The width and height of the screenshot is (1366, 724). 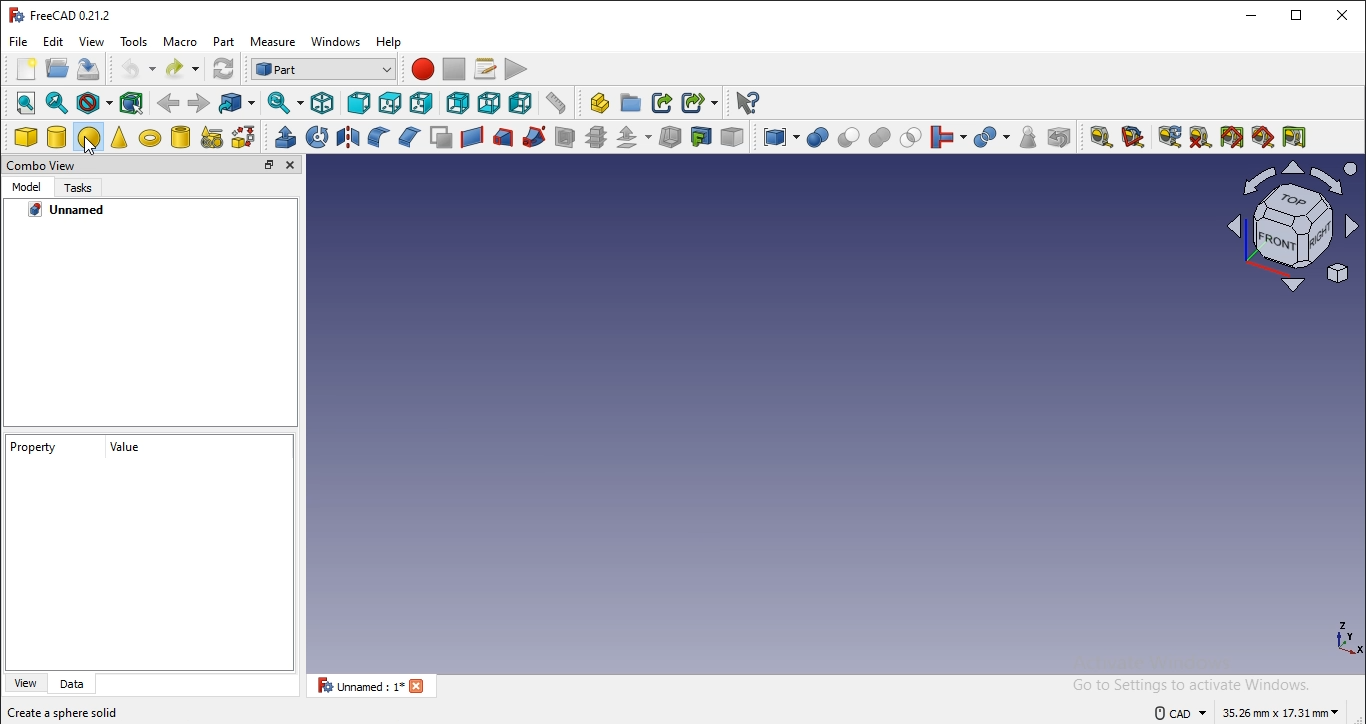 What do you see at coordinates (120, 138) in the screenshot?
I see `cone` at bounding box center [120, 138].